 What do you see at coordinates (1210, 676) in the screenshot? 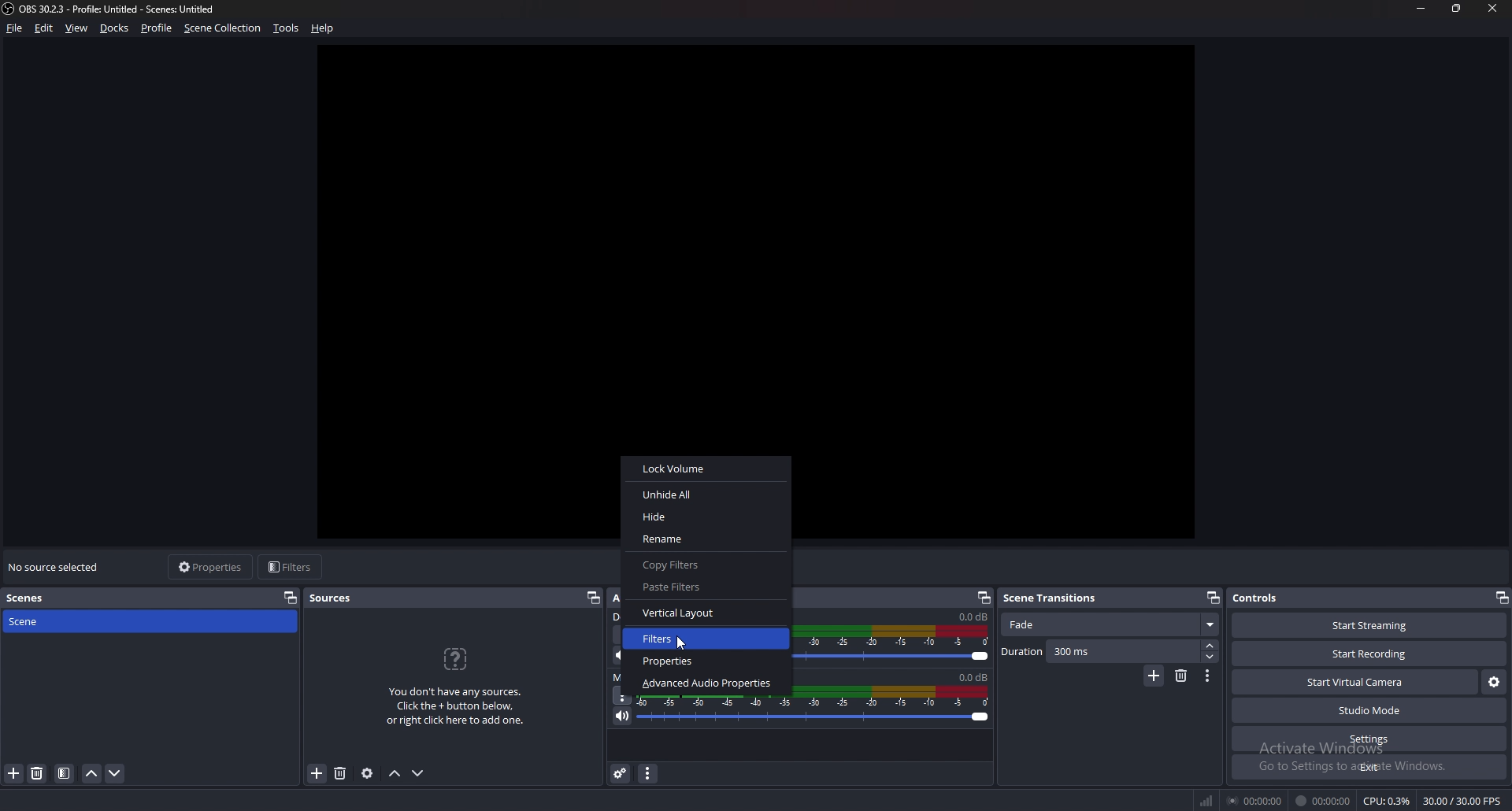
I see `transition properties` at bounding box center [1210, 676].